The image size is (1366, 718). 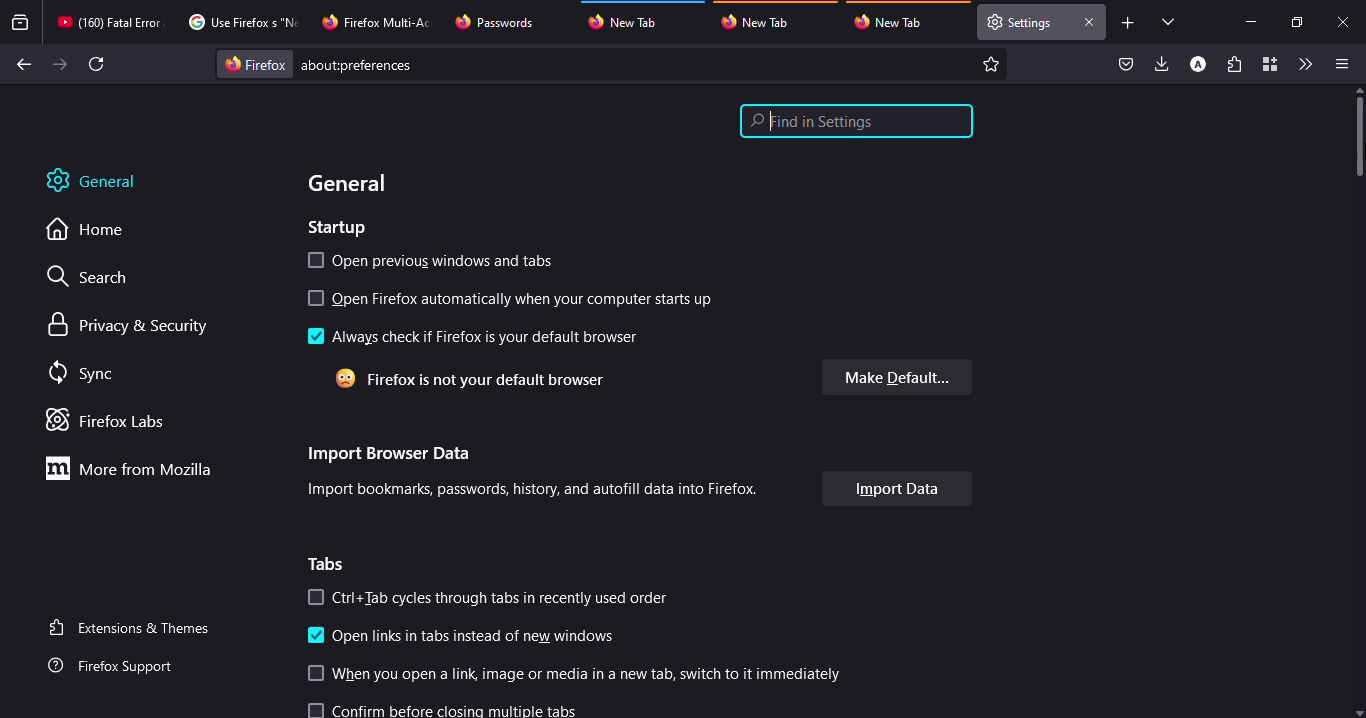 I want to click on general, so click(x=358, y=181).